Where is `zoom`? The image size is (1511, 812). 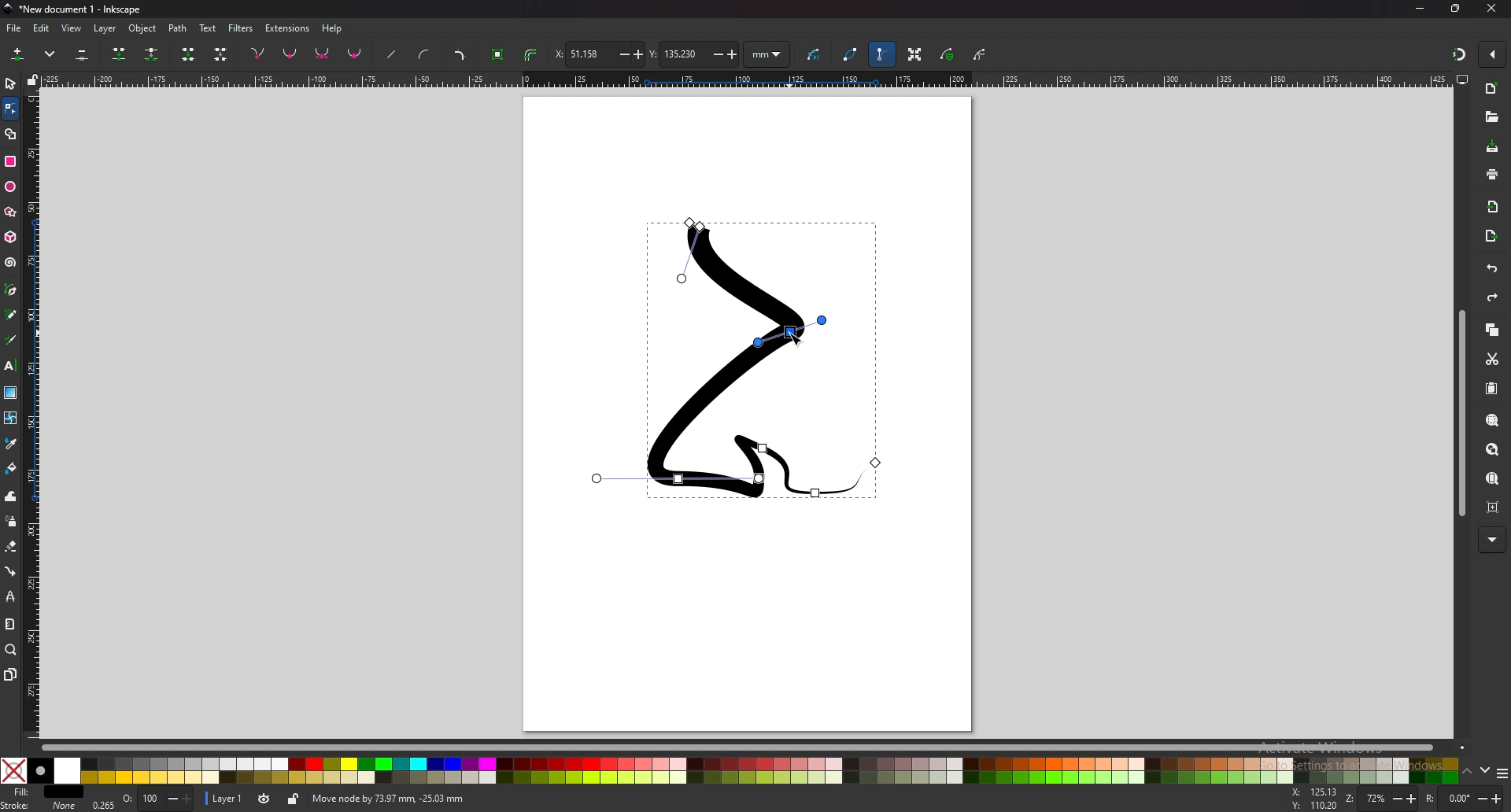 zoom is located at coordinates (1391, 800).